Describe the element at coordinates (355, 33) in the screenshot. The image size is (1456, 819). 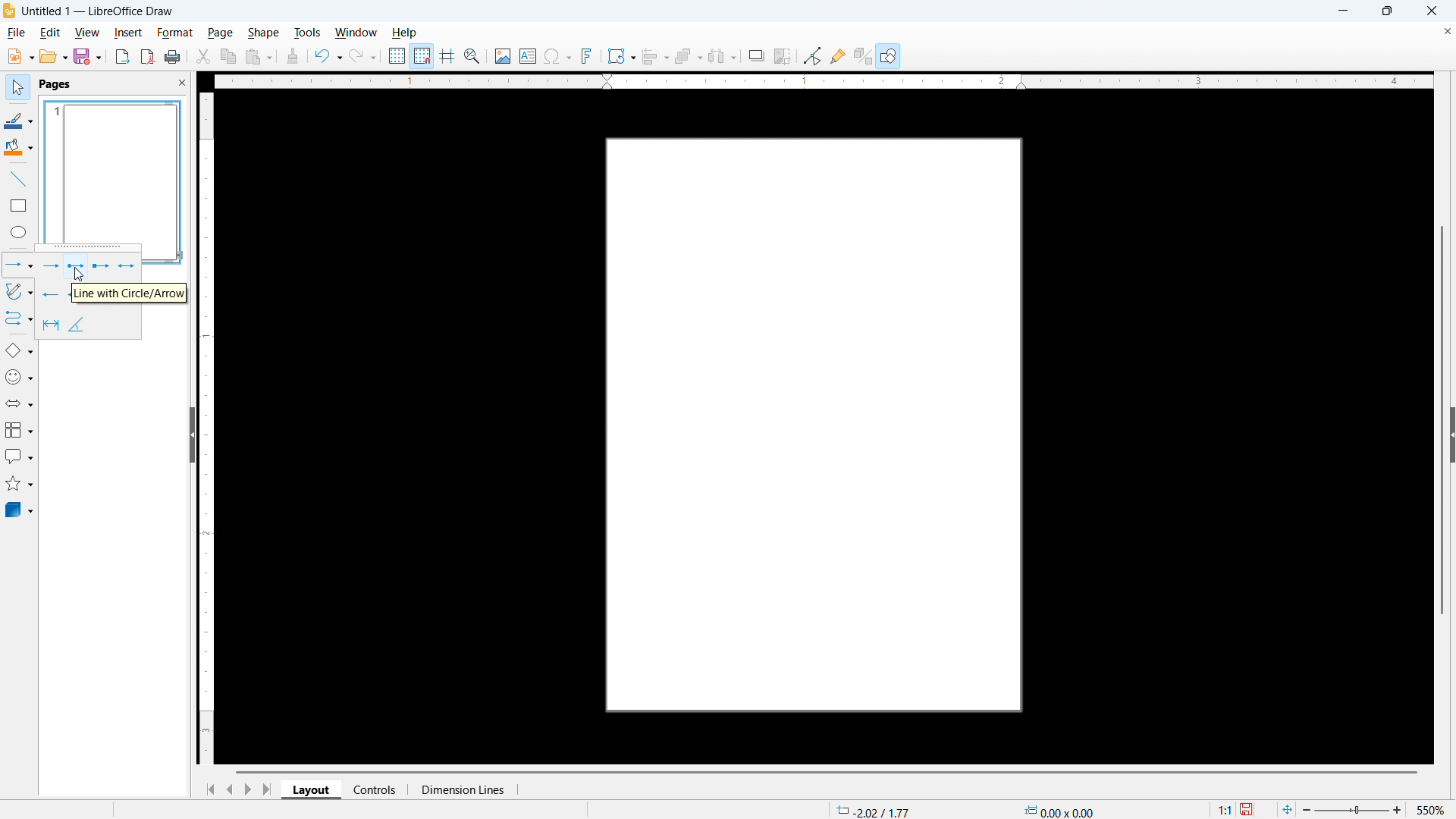
I see `Window ` at that location.